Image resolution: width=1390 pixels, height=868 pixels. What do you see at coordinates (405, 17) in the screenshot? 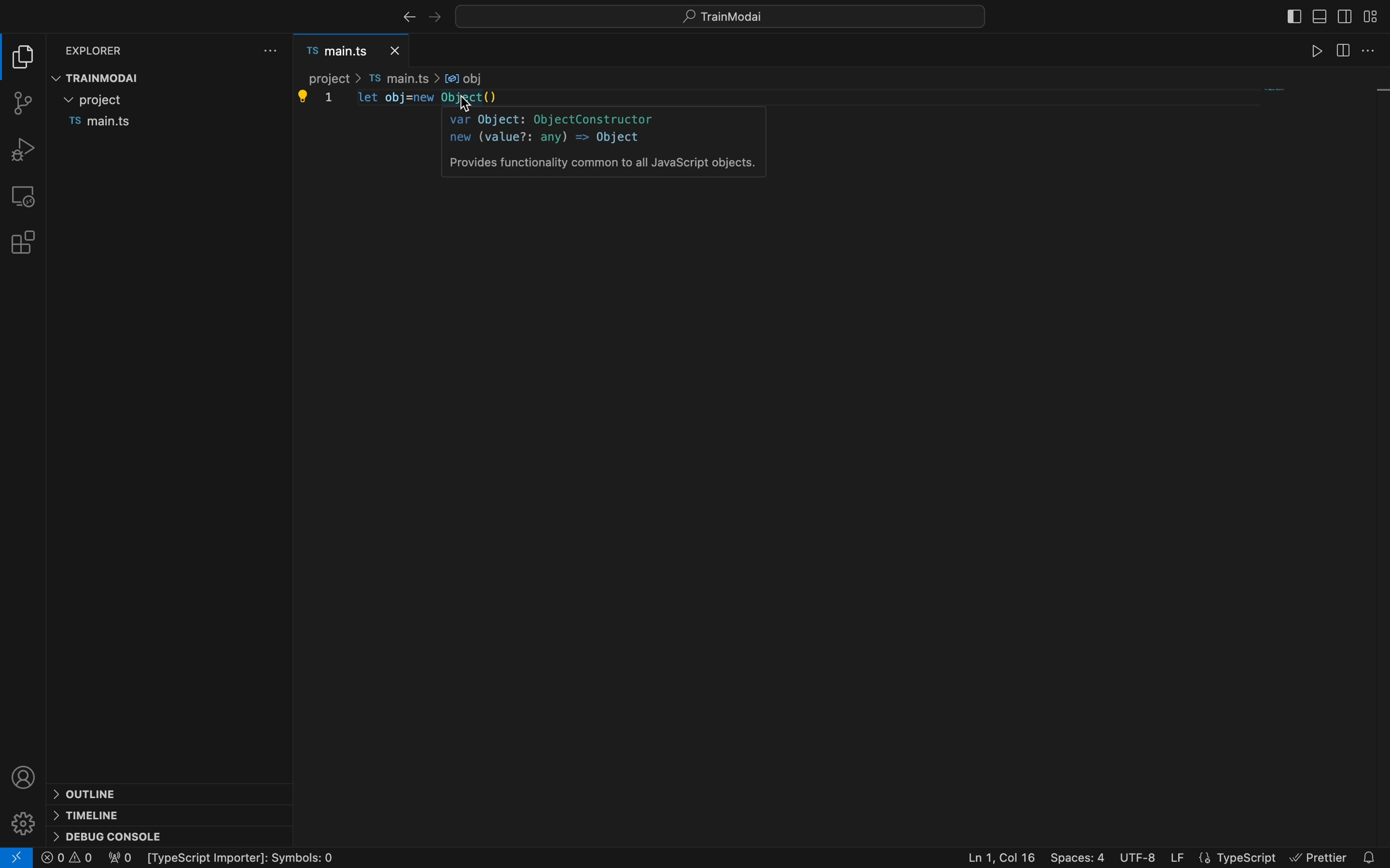
I see `right arrow` at bounding box center [405, 17].